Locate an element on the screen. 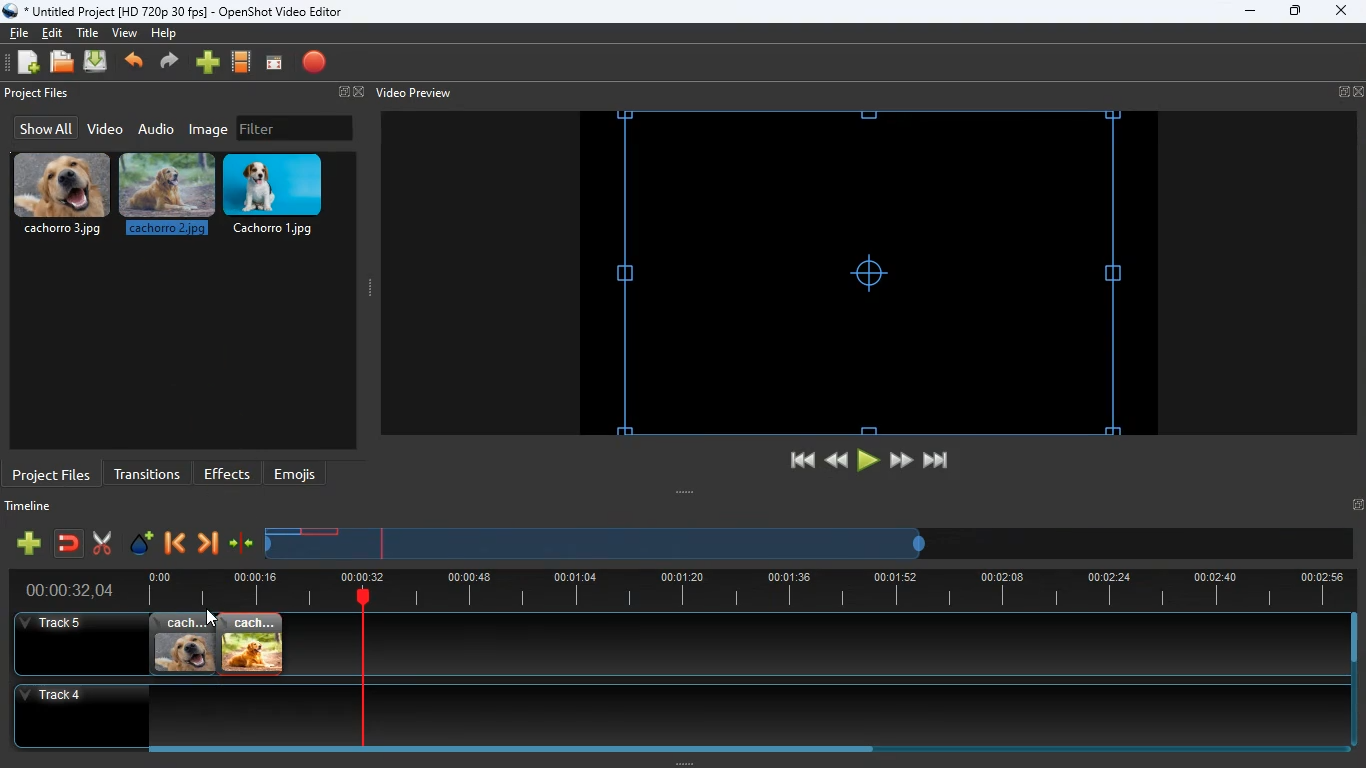 The image size is (1366, 768). back is located at coordinates (173, 545).